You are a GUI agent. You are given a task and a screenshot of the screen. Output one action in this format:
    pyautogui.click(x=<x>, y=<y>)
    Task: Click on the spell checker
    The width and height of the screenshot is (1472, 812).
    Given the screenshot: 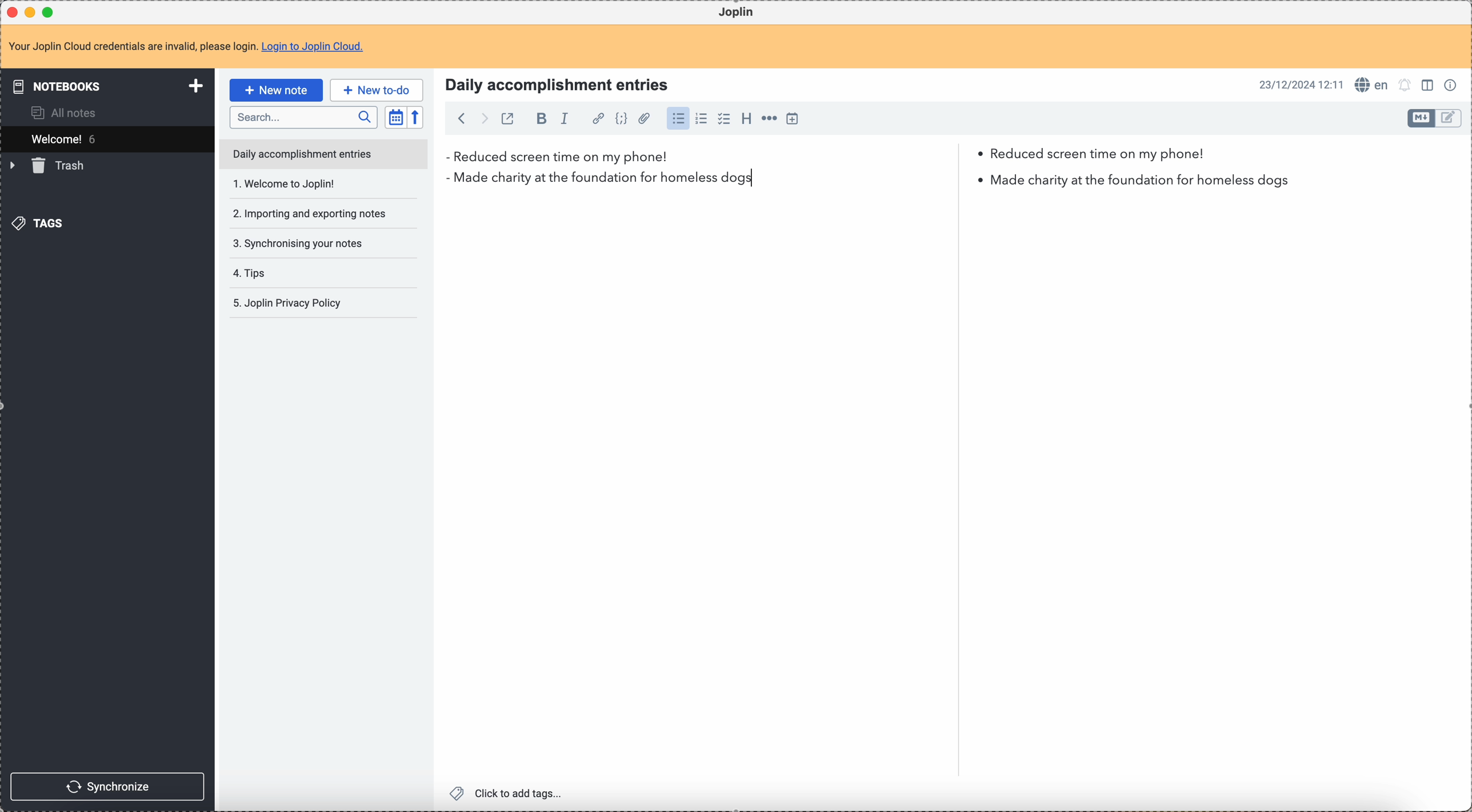 What is the action you would take?
    pyautogui.click(x=1372, y=85)
    